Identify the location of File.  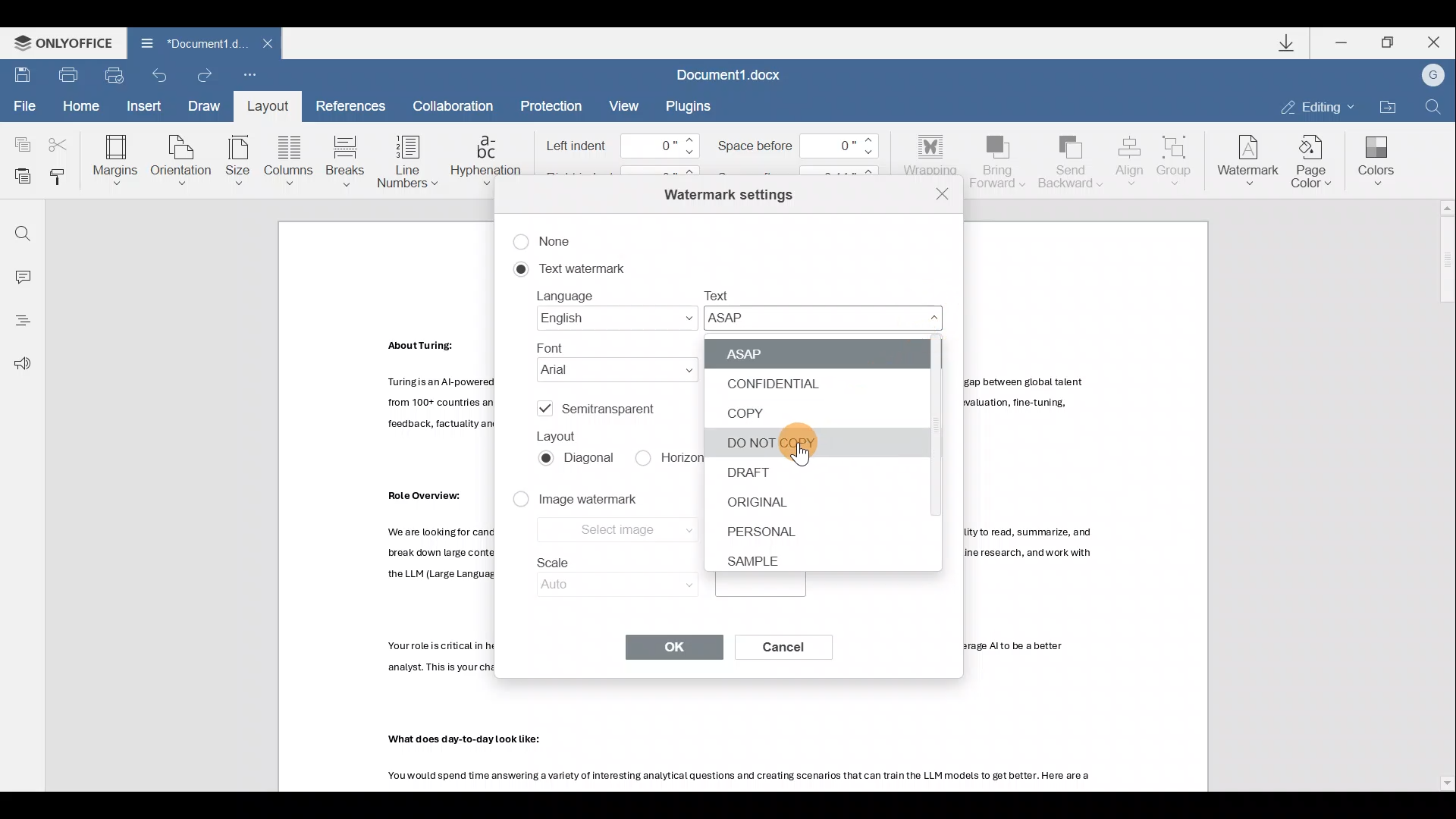
(21, 106).